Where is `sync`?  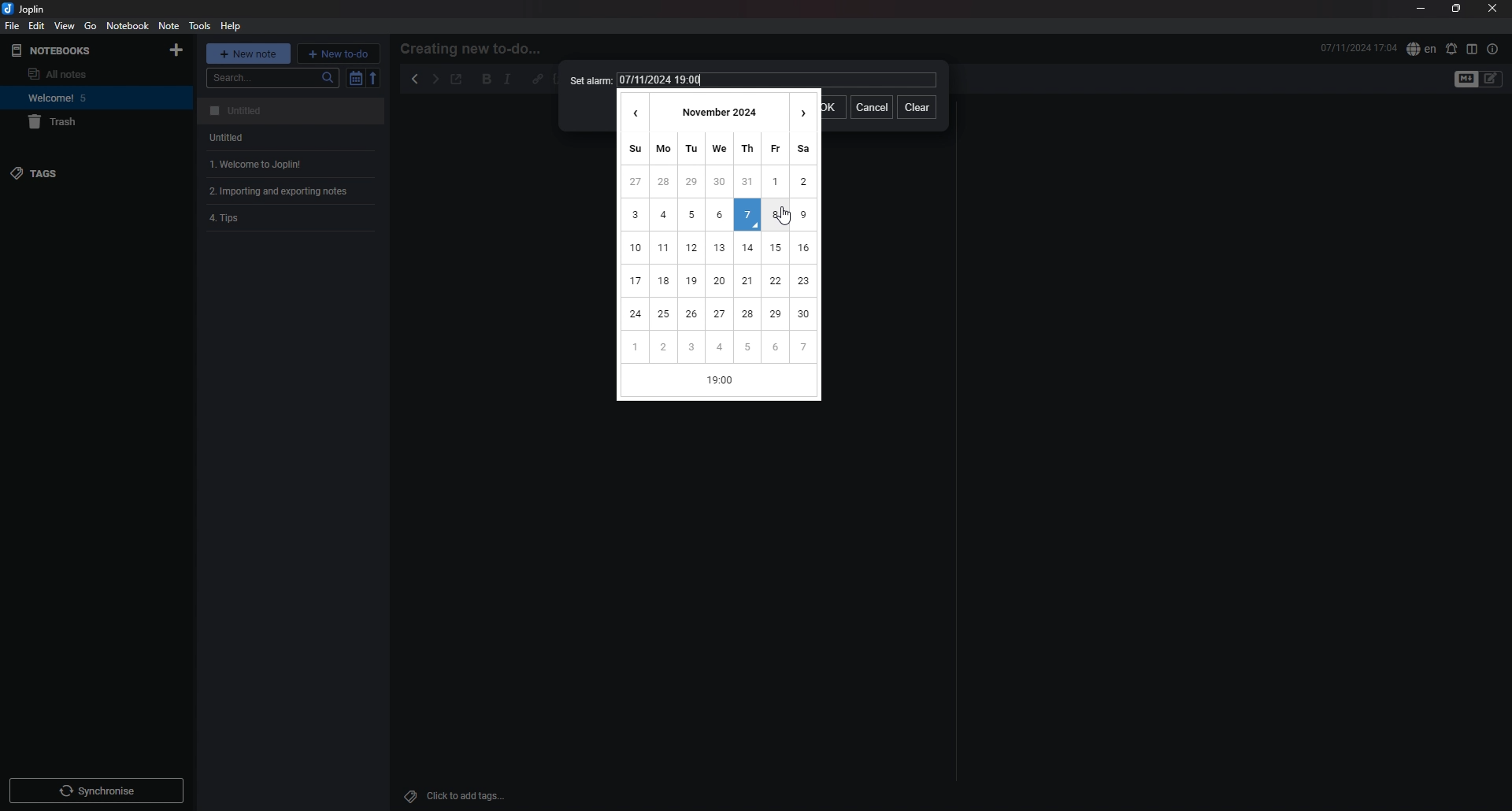 sync is located at coordinates (96, 790).